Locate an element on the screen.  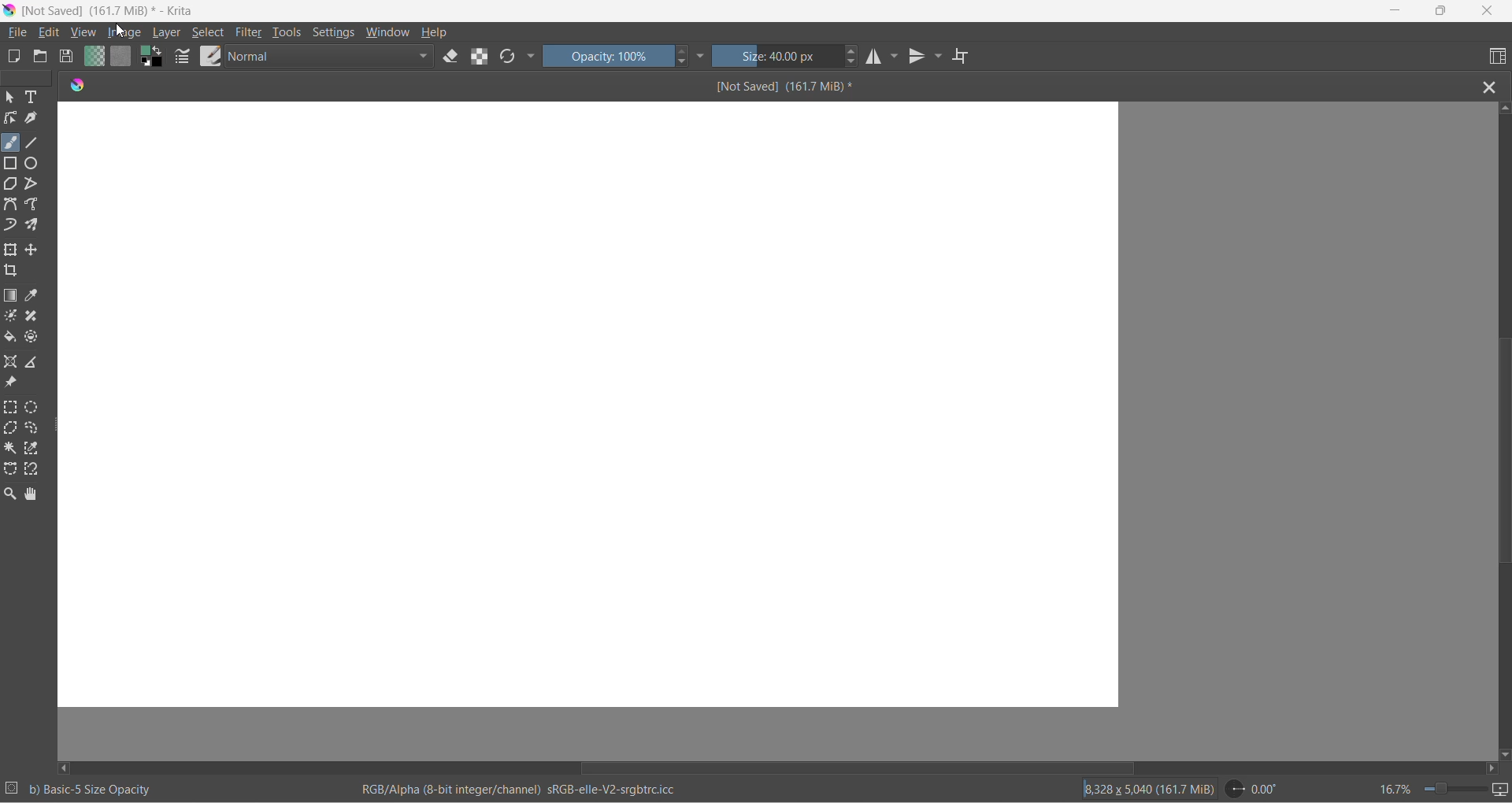
layer is located at coordinates (169, 33).